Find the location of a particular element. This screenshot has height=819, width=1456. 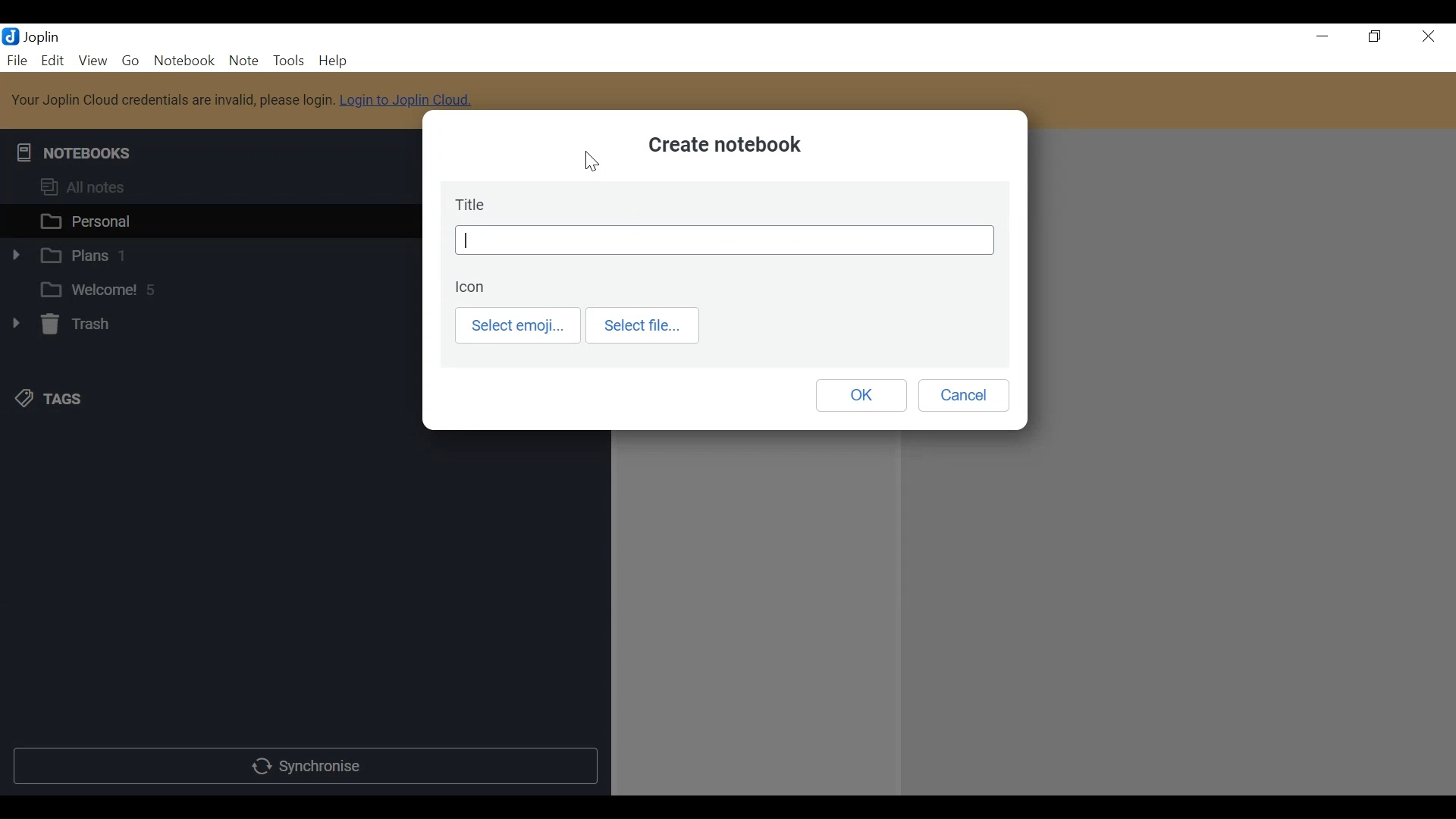

personal  is located at coordinates (206, 220).